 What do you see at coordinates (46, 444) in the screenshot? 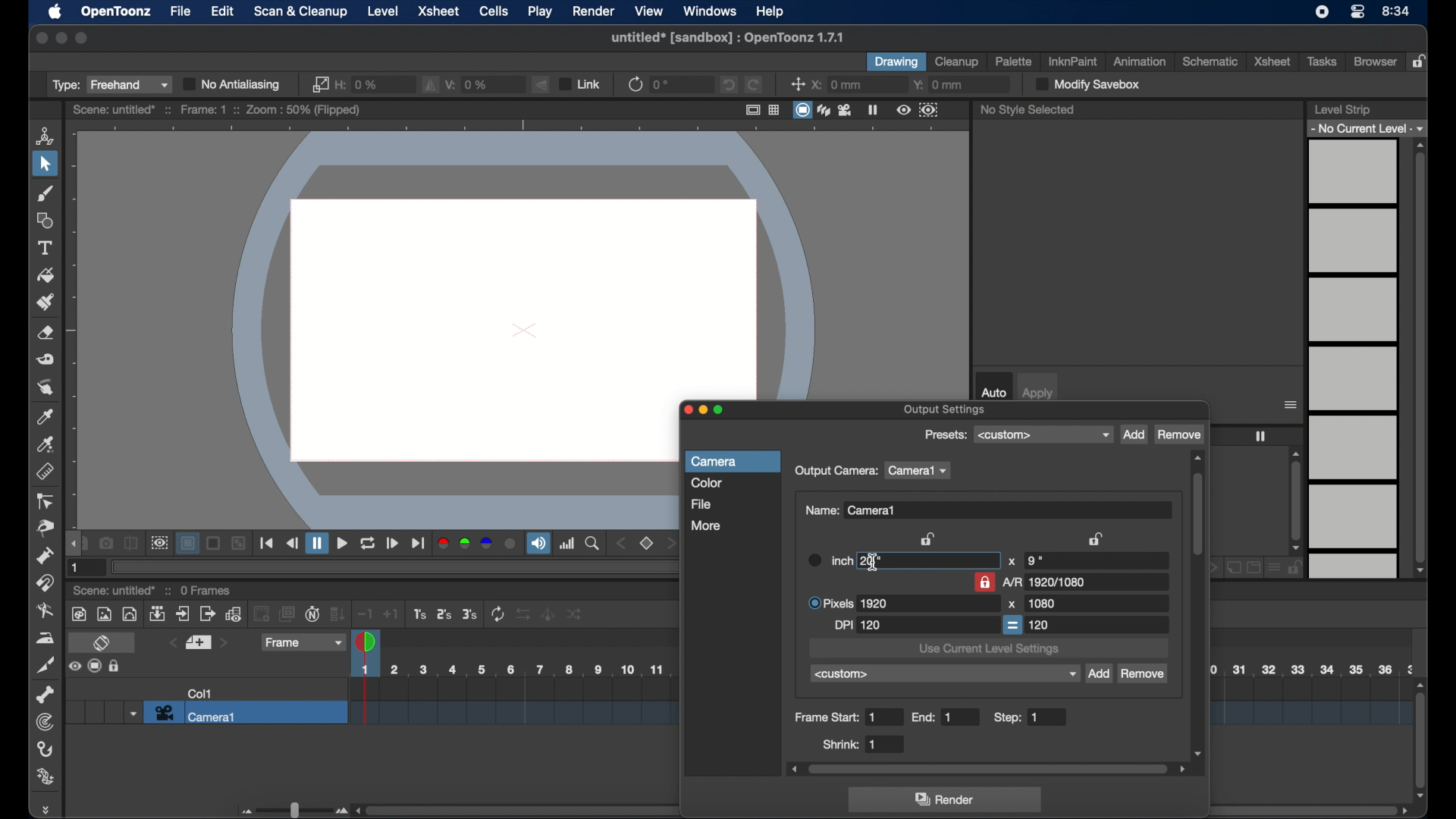
I see `rgb picker tool` at bounding box center [46, 444].